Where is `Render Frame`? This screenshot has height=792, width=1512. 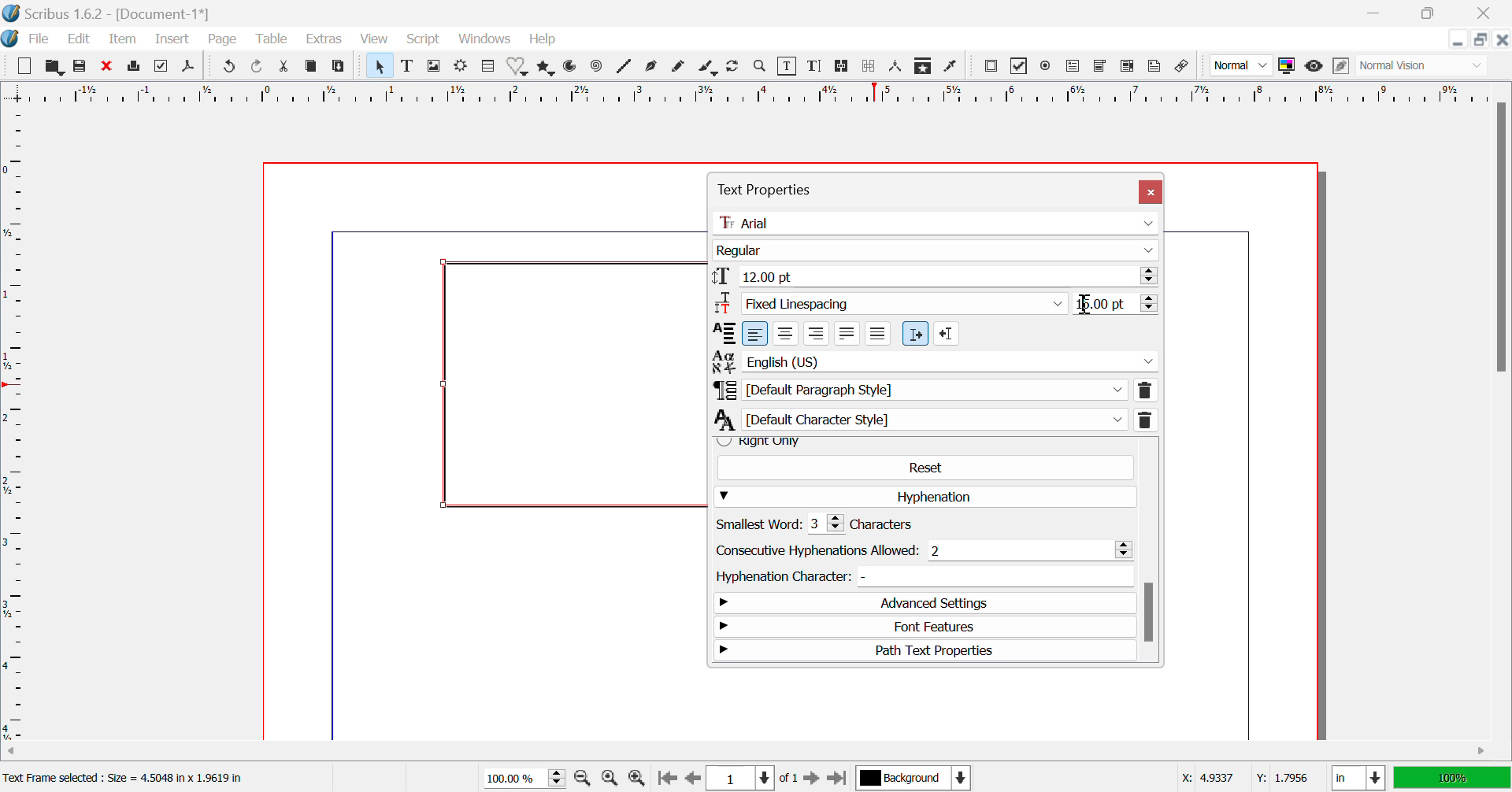
Render Frame is located at coordinates (463, 66).